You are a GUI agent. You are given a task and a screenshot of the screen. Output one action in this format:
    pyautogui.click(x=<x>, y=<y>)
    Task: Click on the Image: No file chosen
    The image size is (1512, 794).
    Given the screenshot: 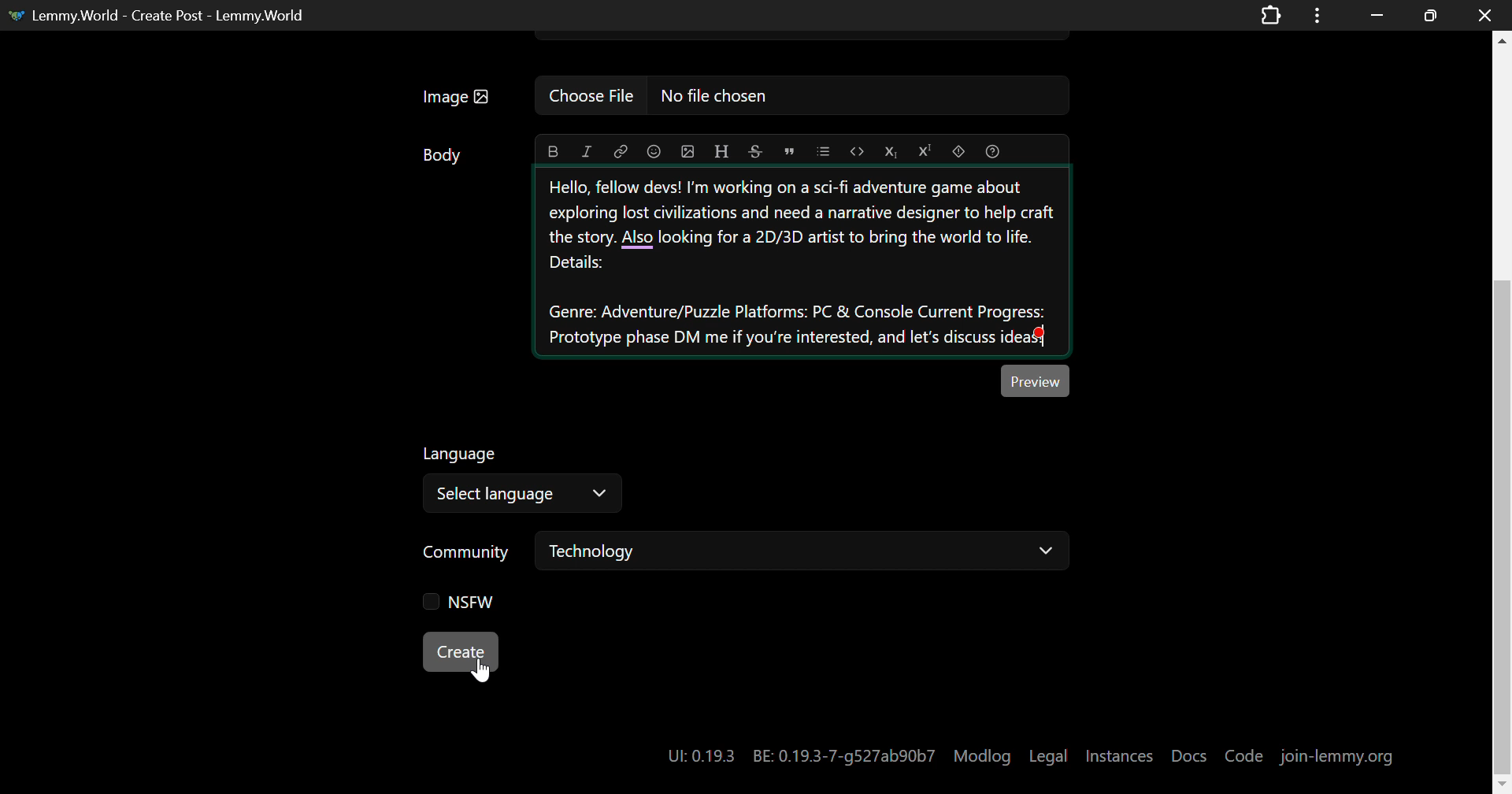 What is the action you would take?
    pyautogui.click(x=740, y=96)
    